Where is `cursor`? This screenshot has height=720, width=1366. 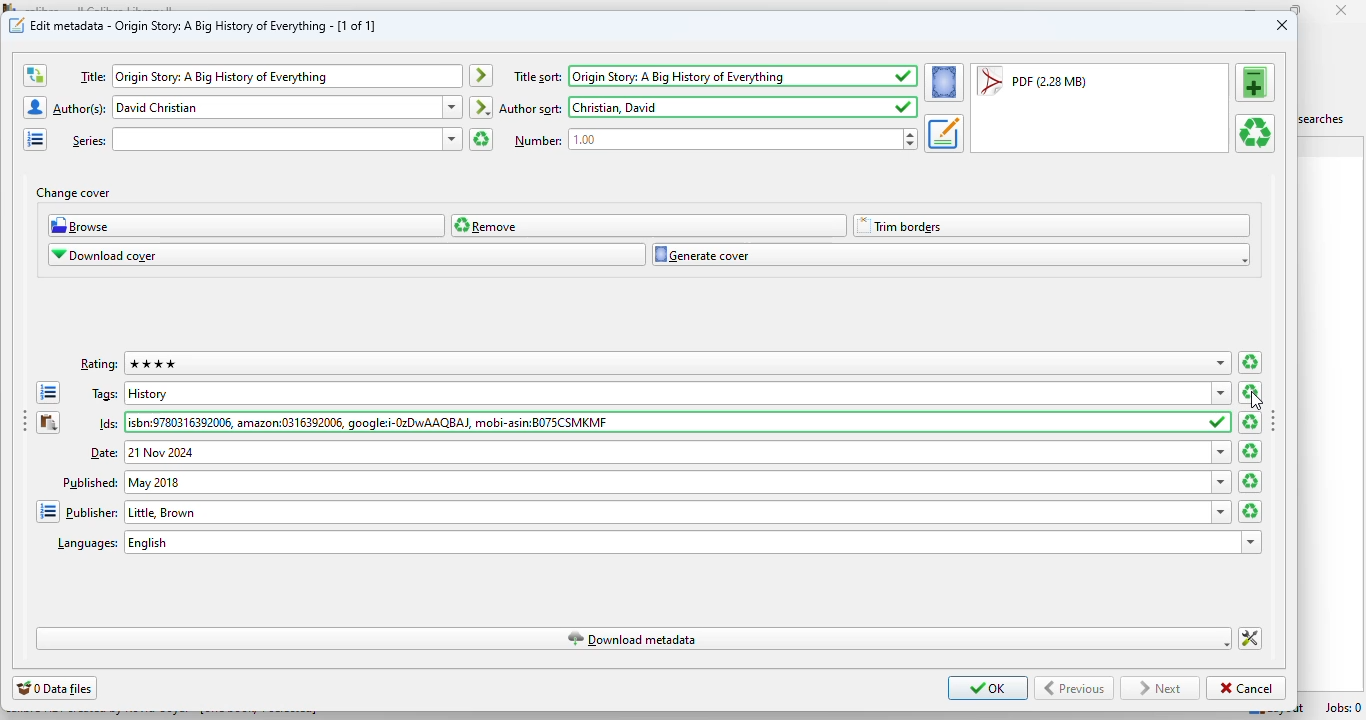
cursor is located at coordinates (1257, 402).